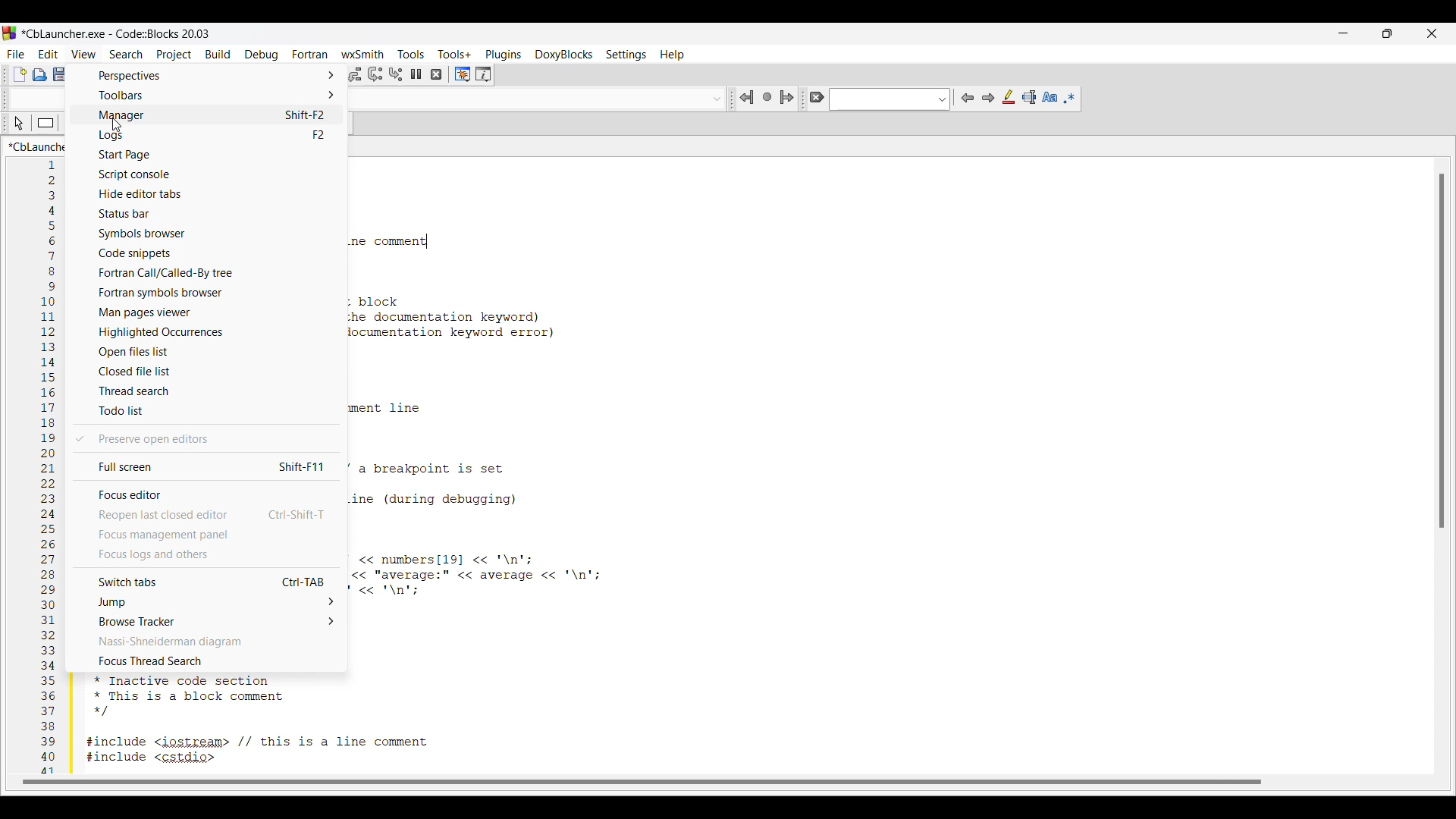 The width and height of the screenshot is (1456, 819). Describe the element at coordinates (1069, 99) in the screenshot. I see `Use regex` at that location.